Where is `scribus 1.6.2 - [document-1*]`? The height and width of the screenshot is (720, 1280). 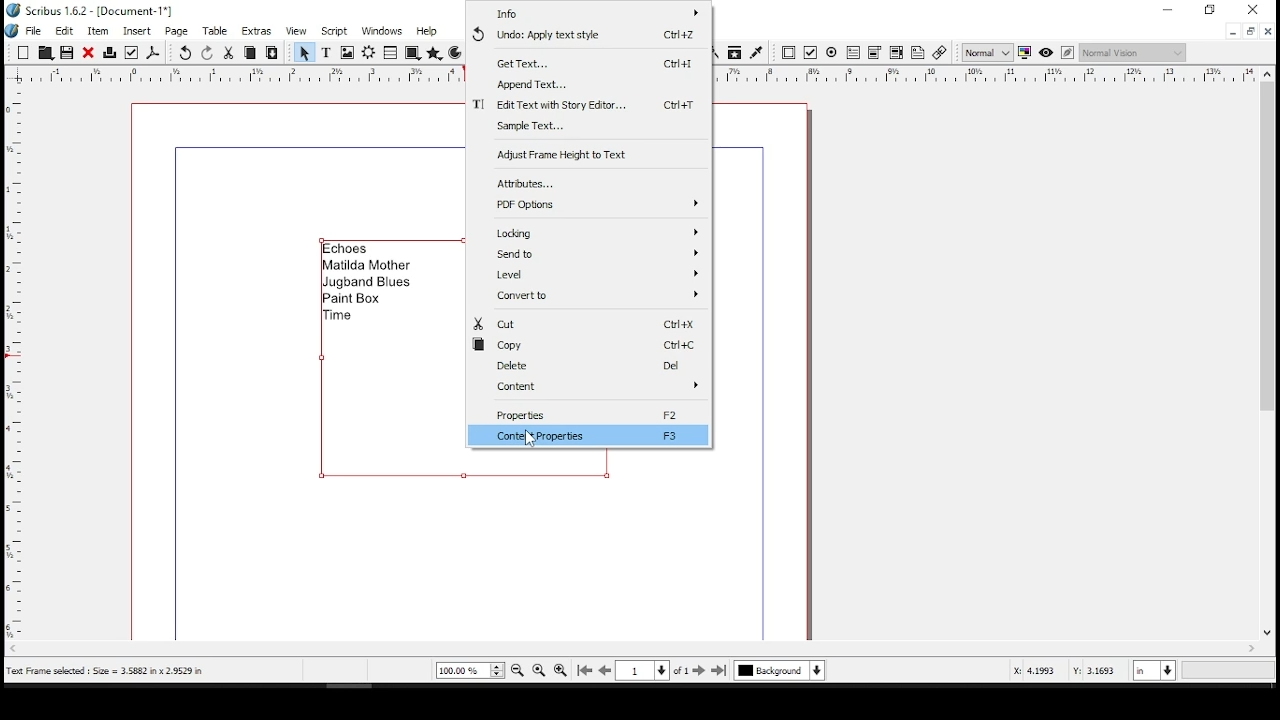 scribus 1.6.2 - [document-1*] is located at coordinates (102, 9).